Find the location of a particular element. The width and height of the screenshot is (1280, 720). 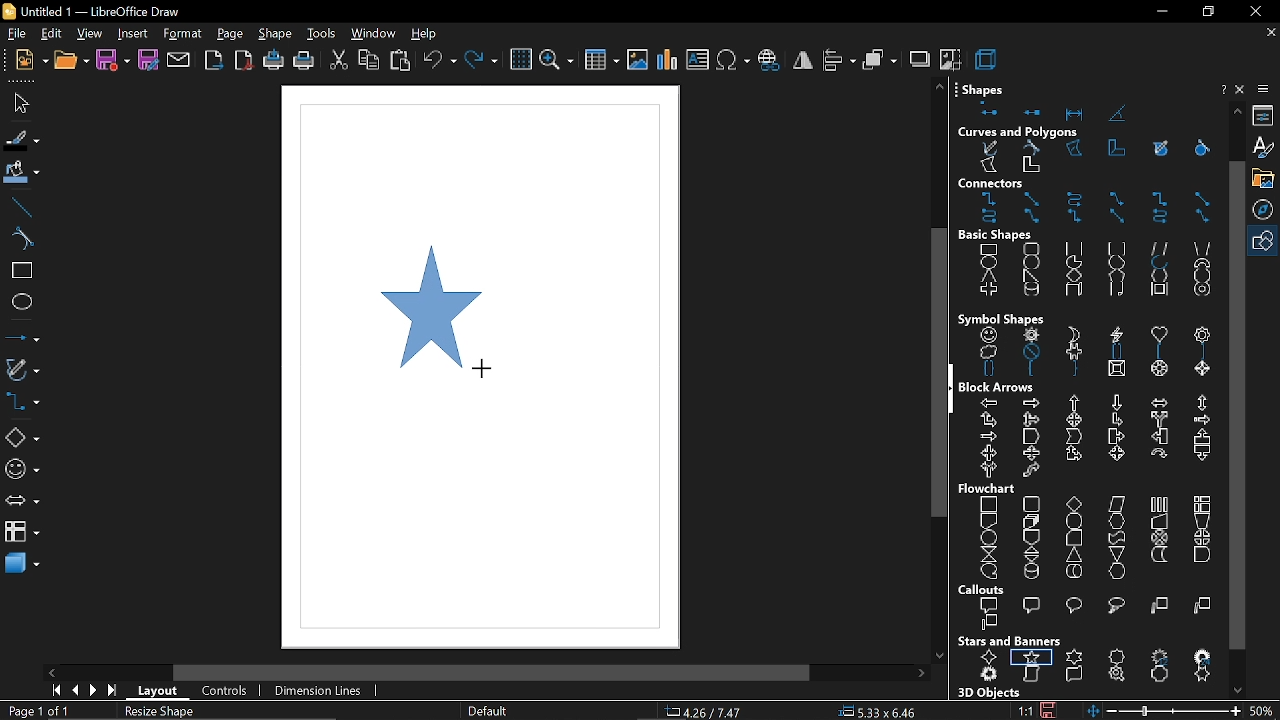

controls is located at coordinates (224, 691).